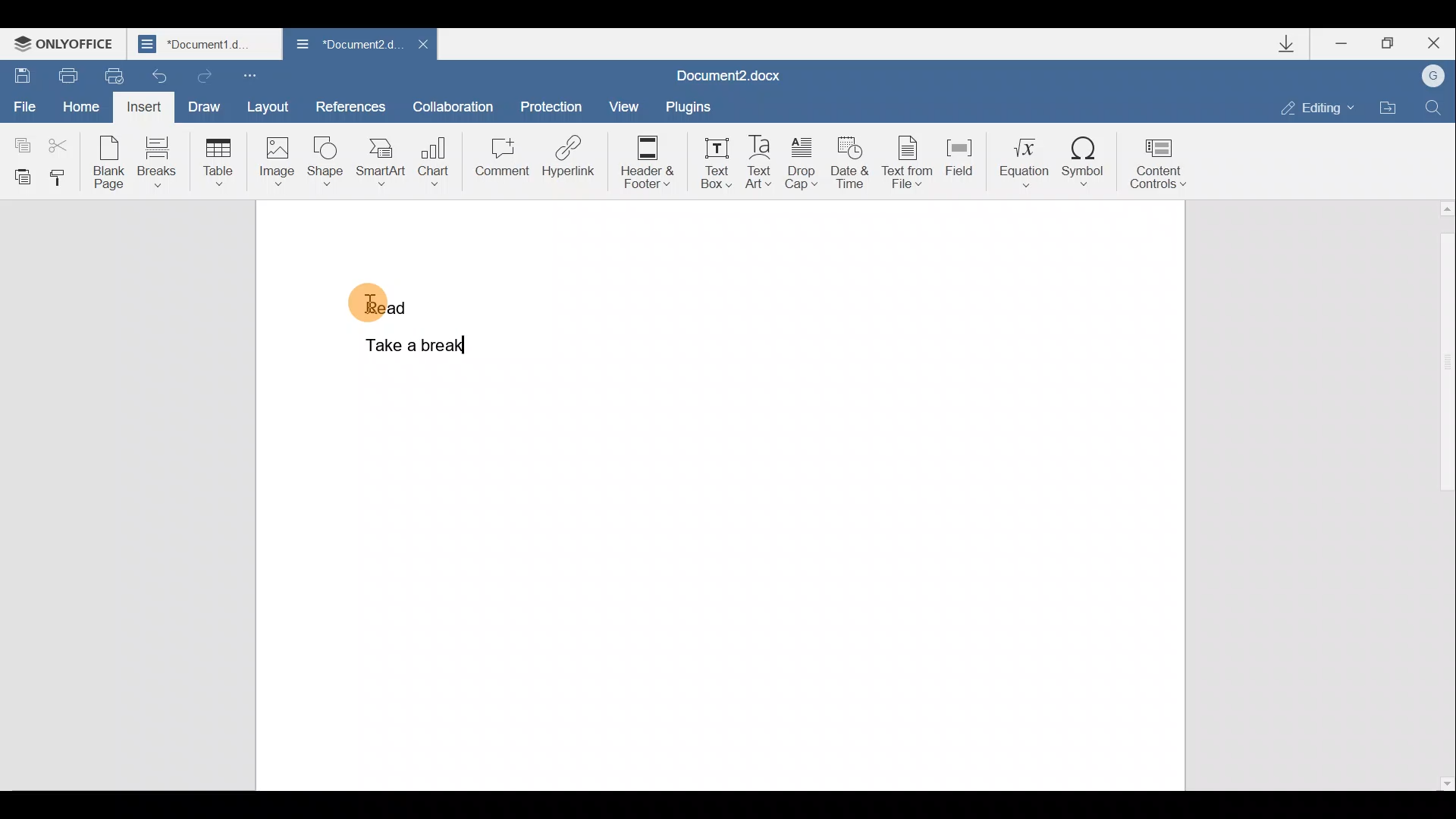  Describe the element at coordinates (833, 493) in the screenshot. I see `Working area` at that location.